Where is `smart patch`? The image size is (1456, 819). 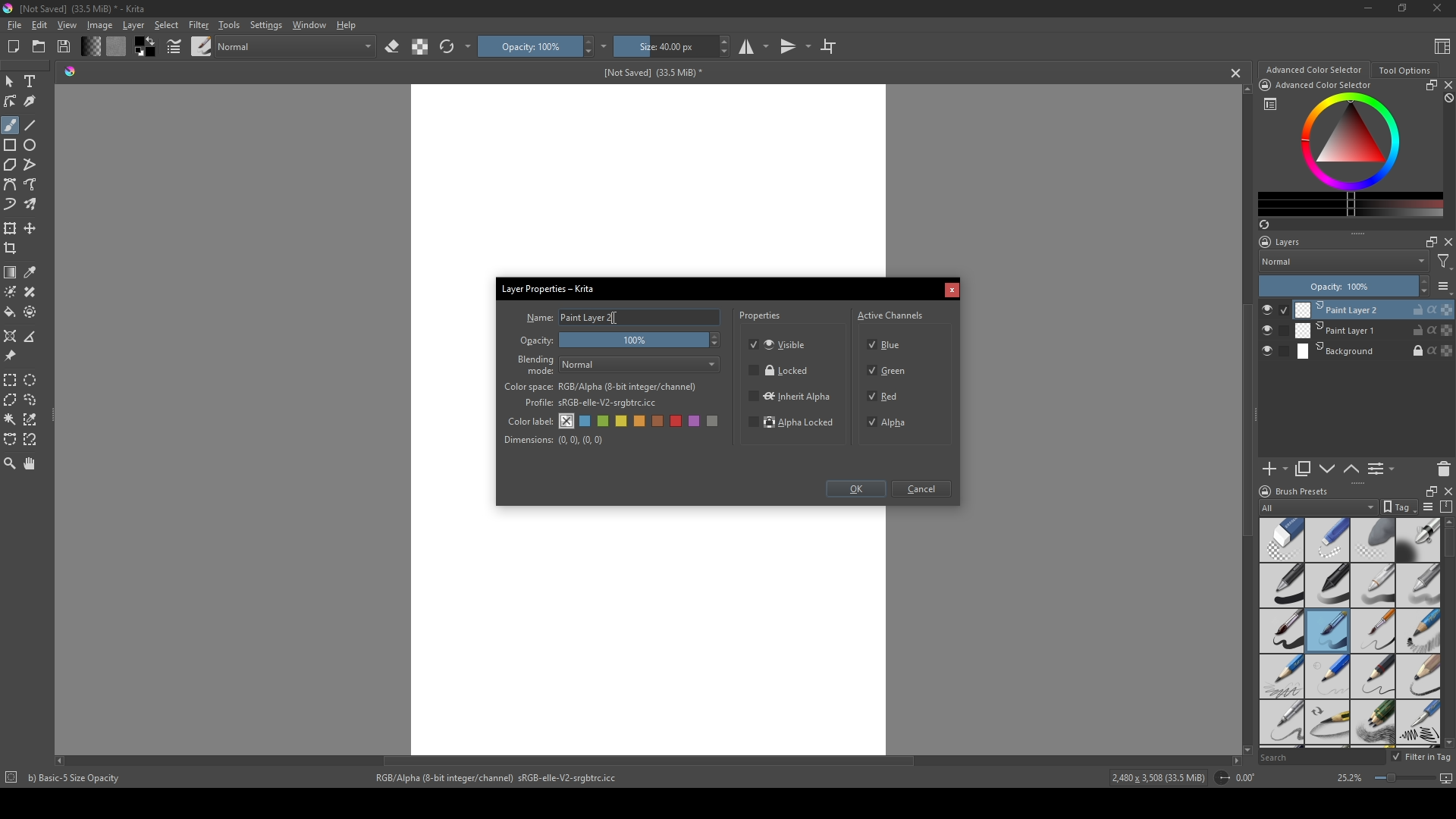
smart patch is located at coordinates (33, 292).